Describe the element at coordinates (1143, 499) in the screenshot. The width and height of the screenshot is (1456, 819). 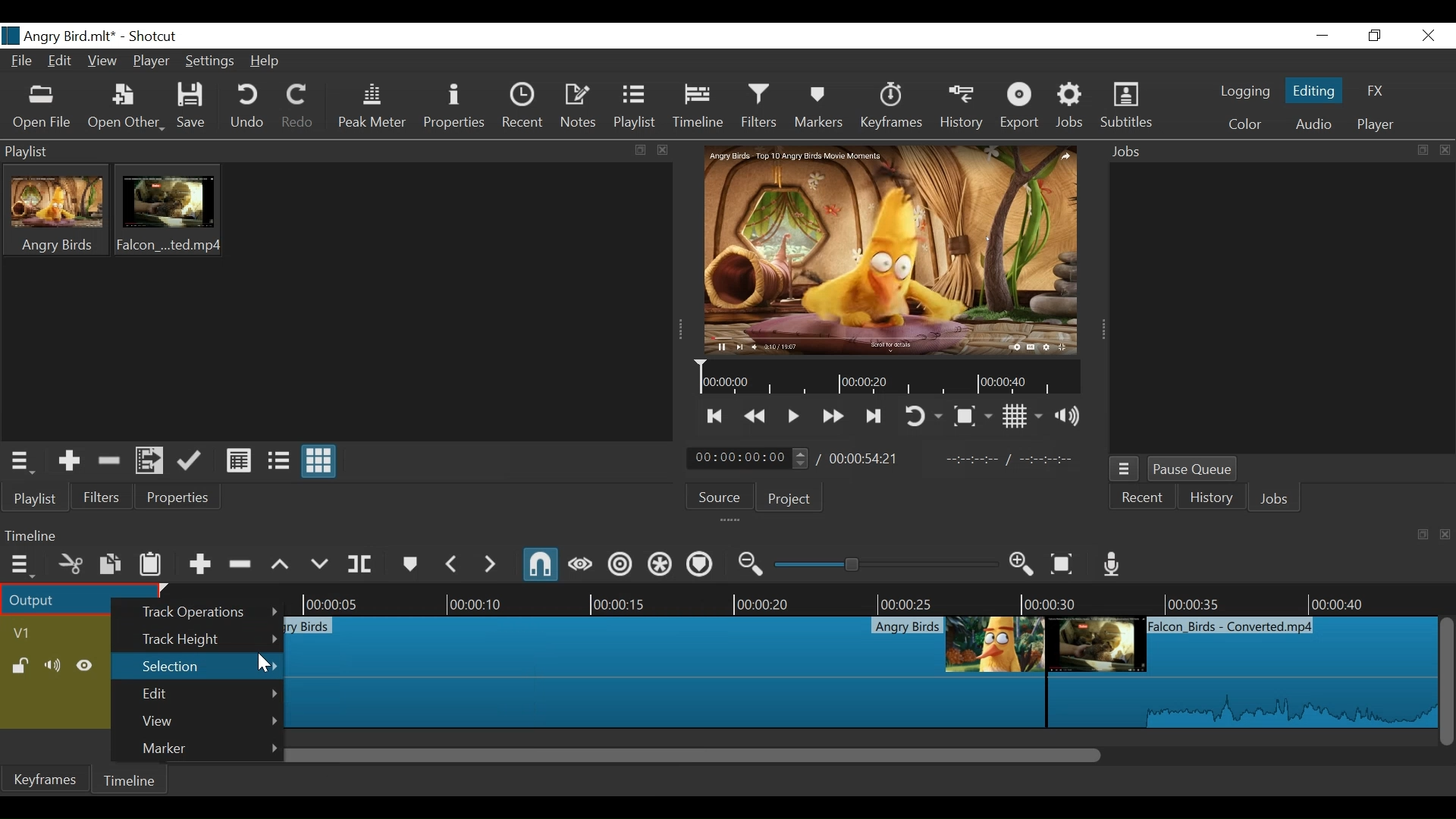
I see `Recent` at that location.